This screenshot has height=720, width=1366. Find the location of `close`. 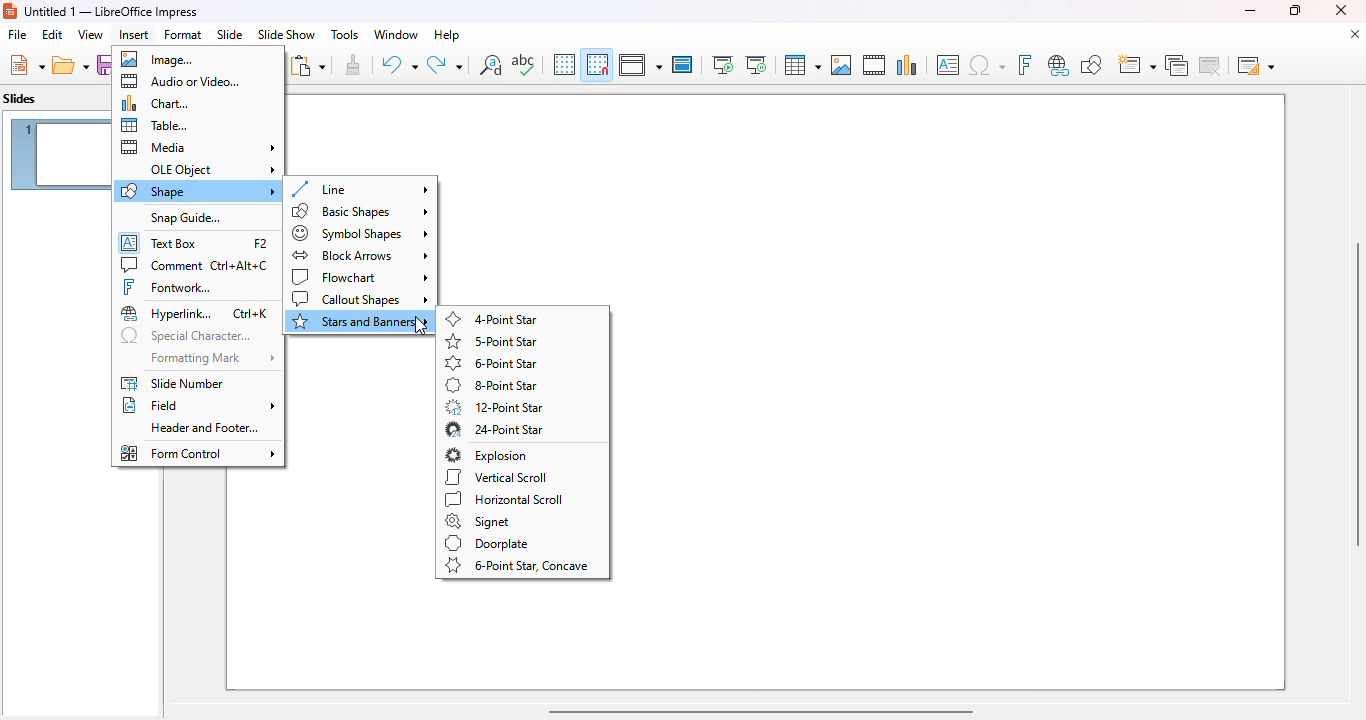

close is located at coordinates (1341, 10).